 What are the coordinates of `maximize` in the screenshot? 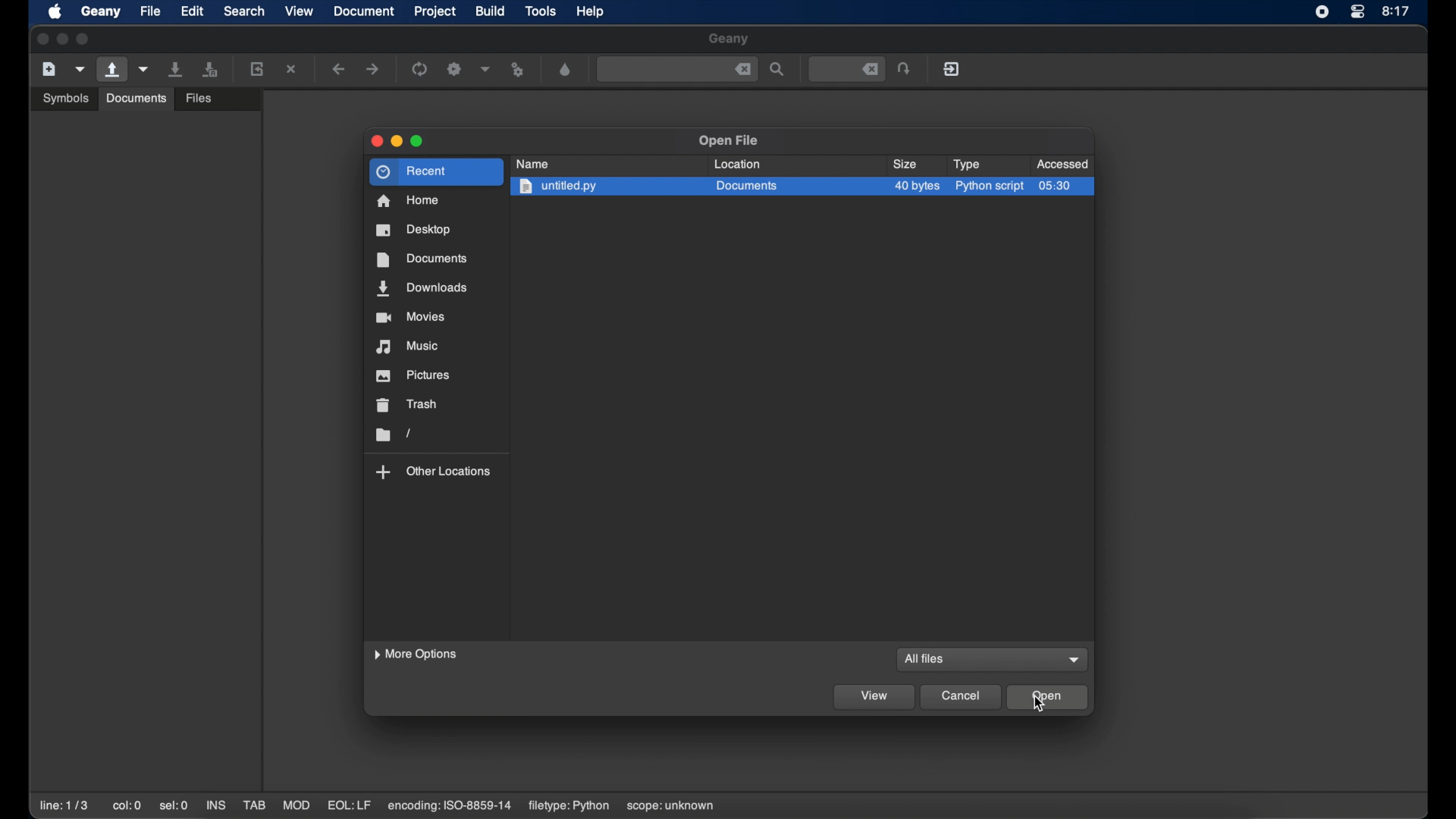 It's located at (85, 39).